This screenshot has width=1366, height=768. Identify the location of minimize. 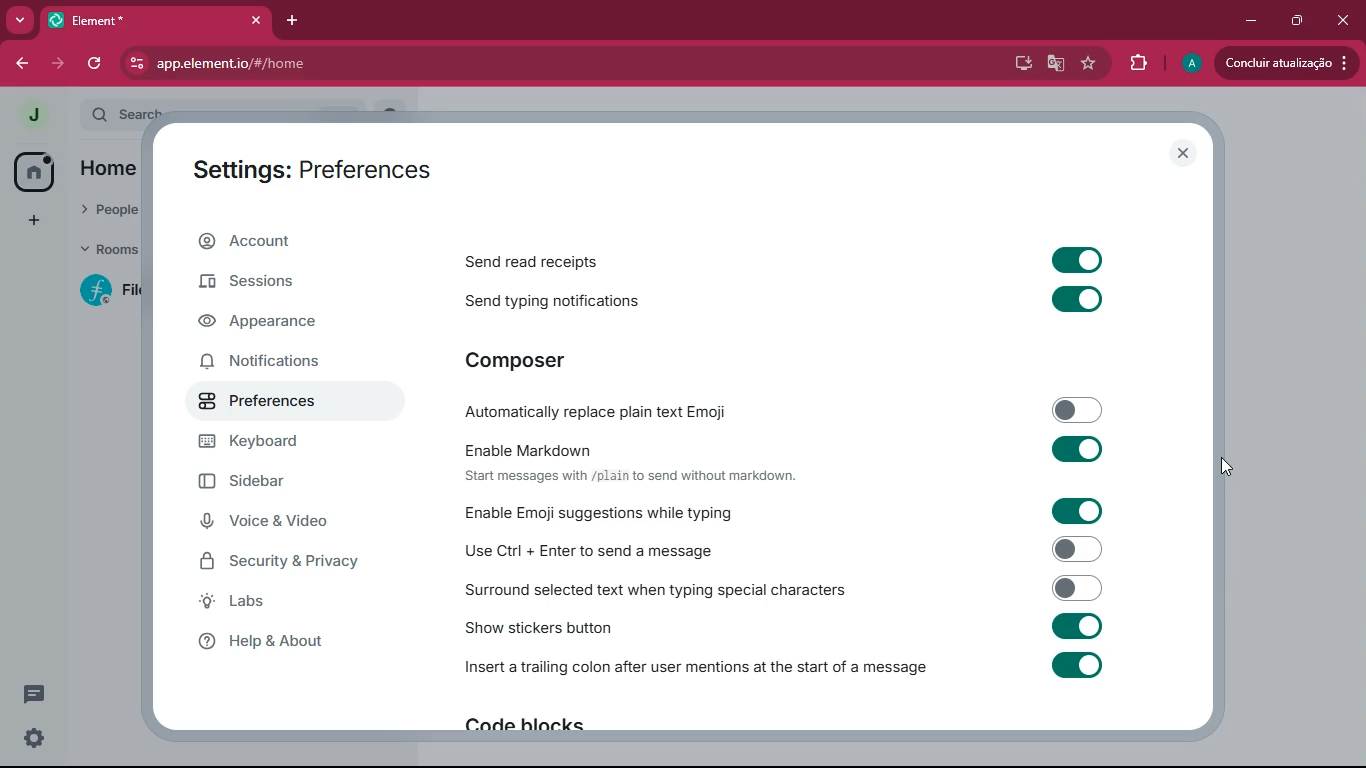
(1249, 19).